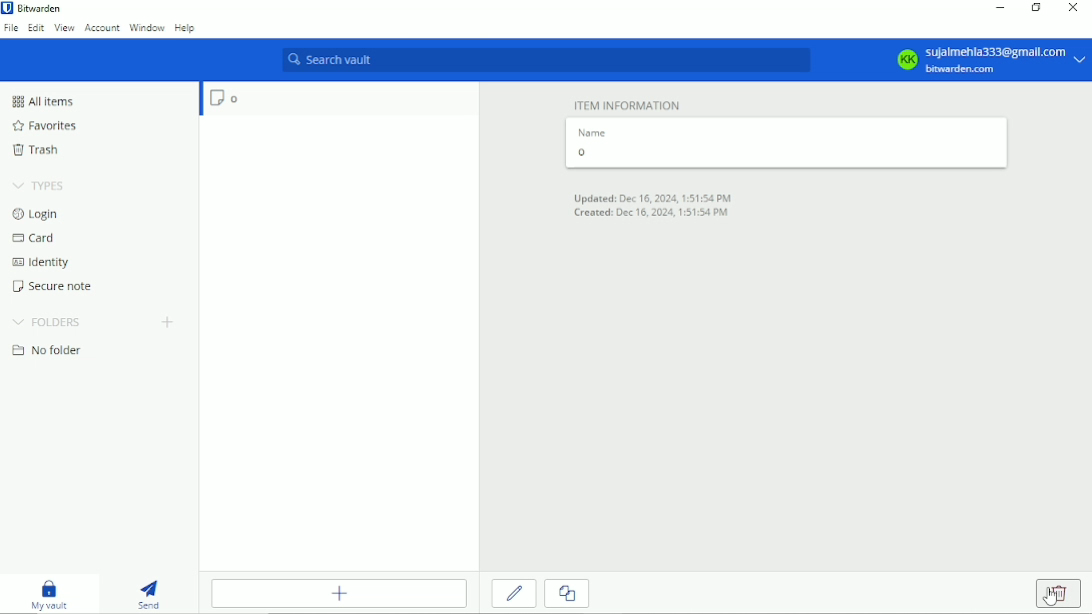 The width and height of the screenshot is (1092, 614). Describe the element at coordinates (42, 262) in the screenshot. I see `Identity` at that location.